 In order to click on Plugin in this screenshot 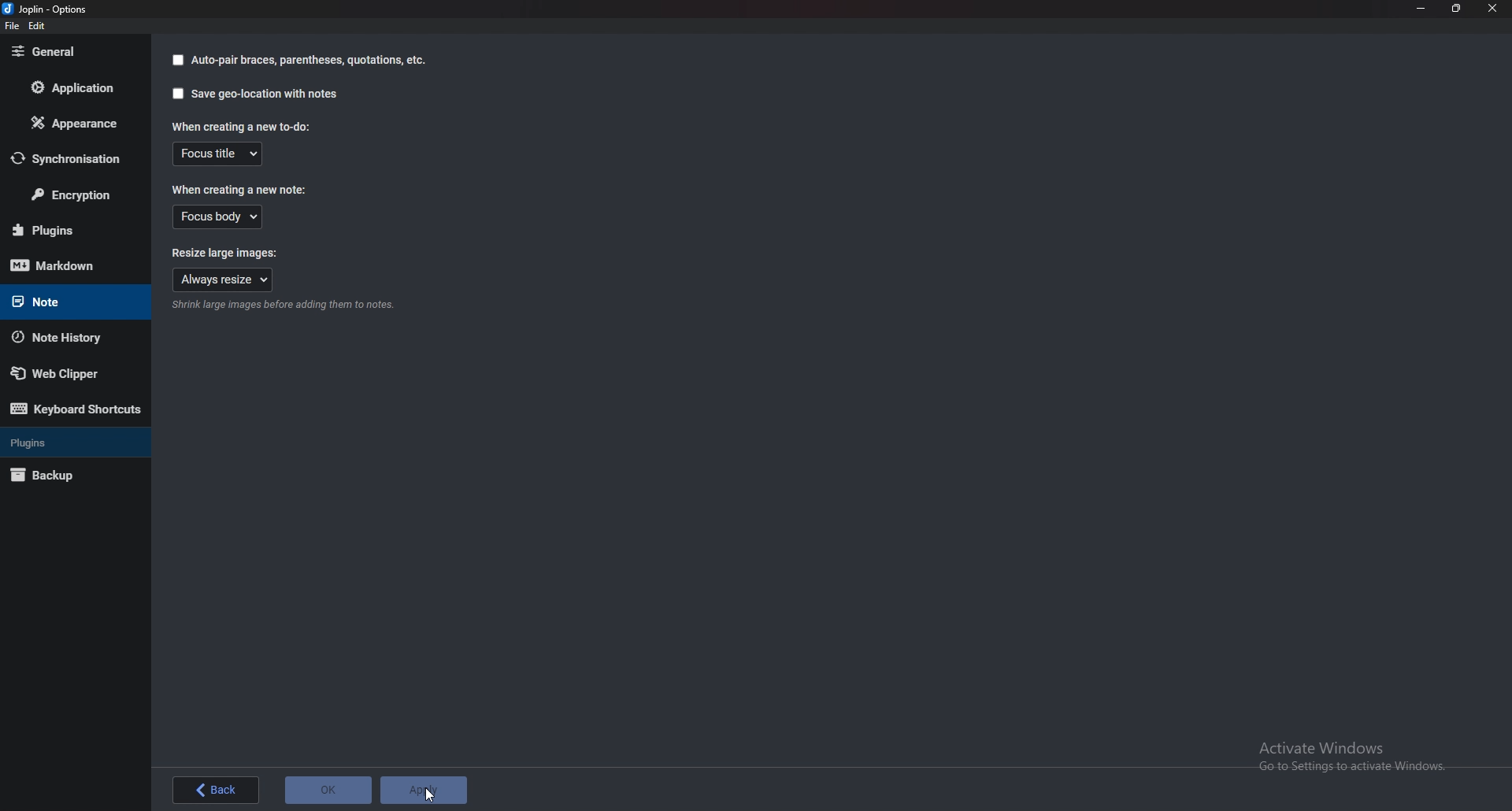, I will do `click(70, 231)`.